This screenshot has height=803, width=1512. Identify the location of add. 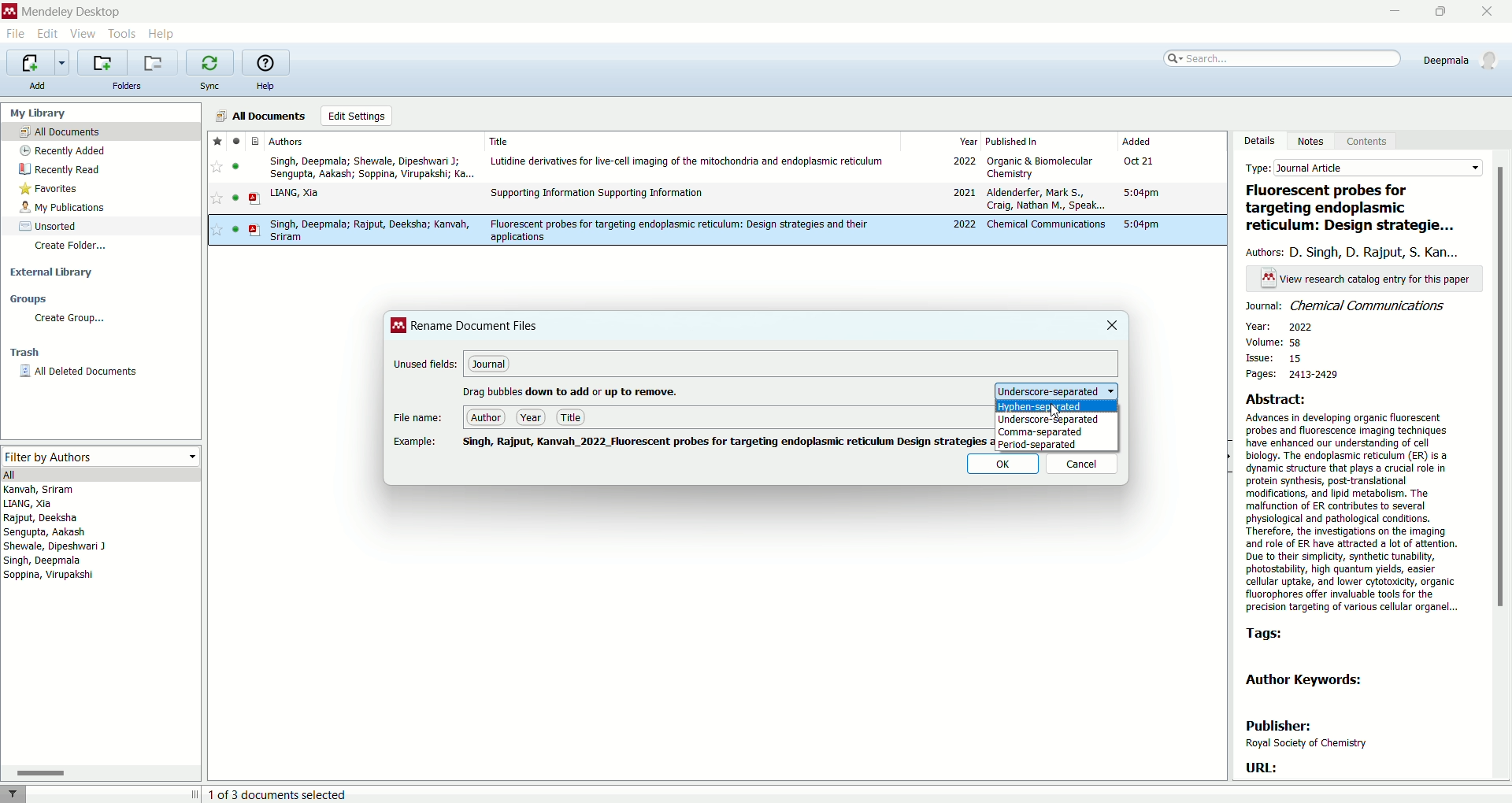
(38, 84).